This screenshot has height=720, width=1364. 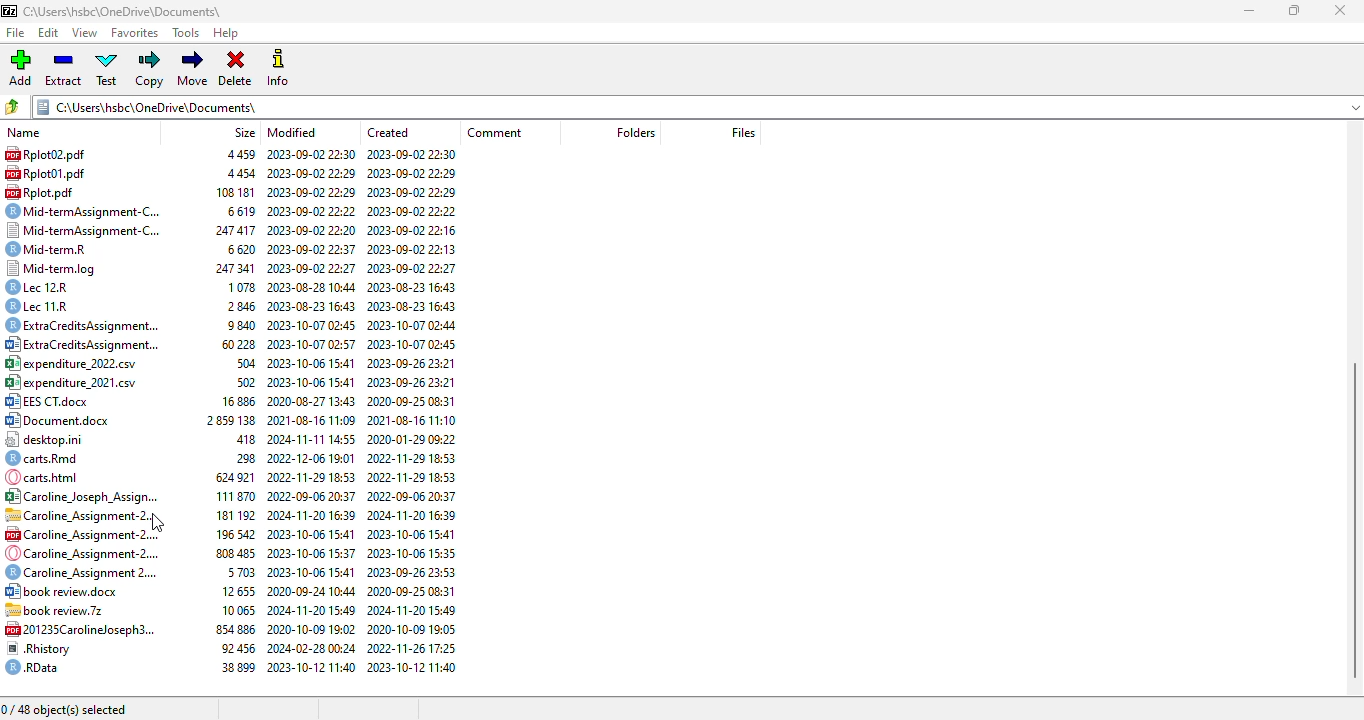 I want to click on 2022-09-06 20:37, so click(x=411, y=495).